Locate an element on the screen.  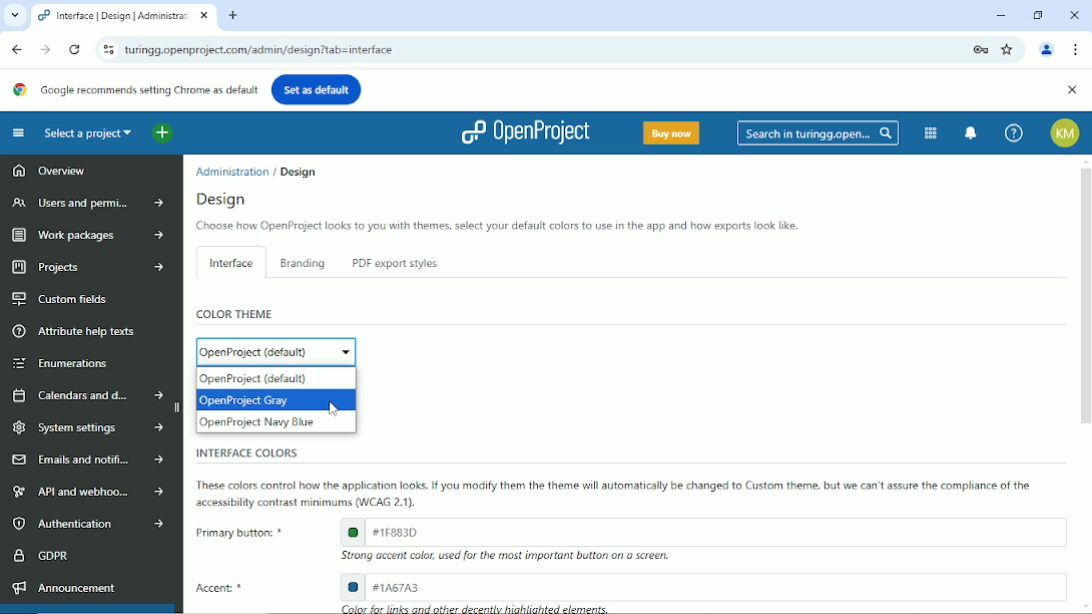
edit color theme (current color theme: OpenProject (default)) is located at coordinates (275, 352).